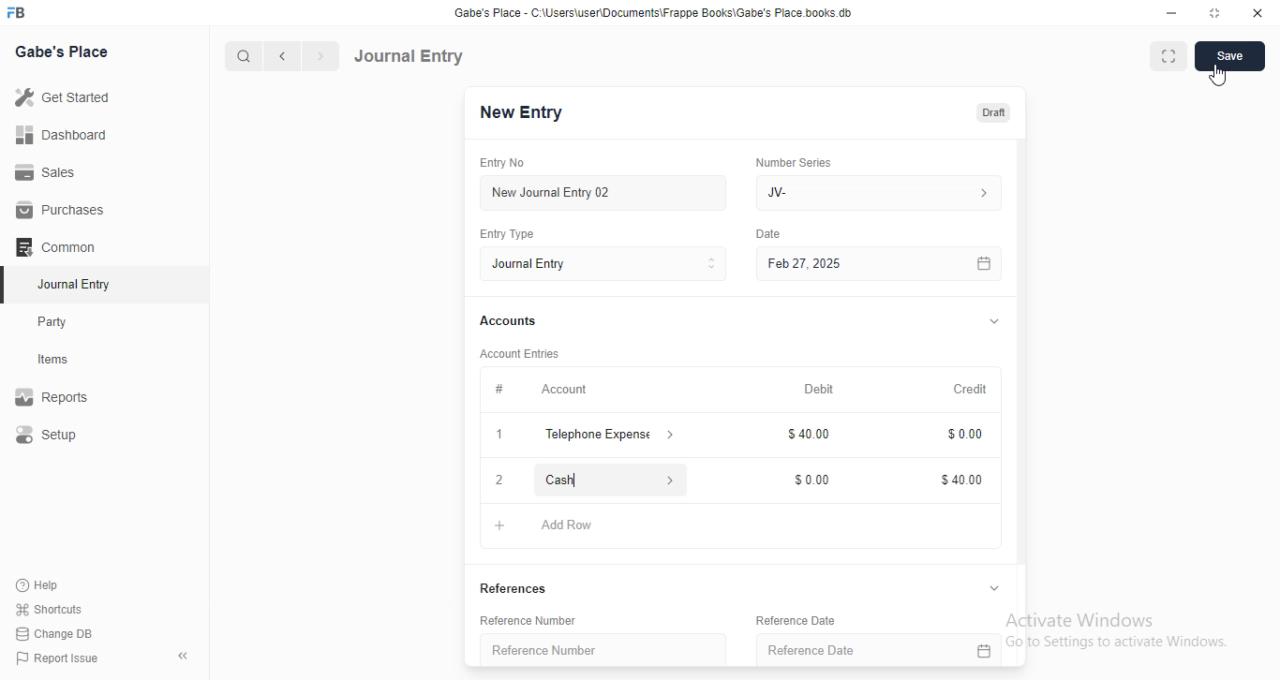 The image size is (1280, 680). Describe the element at coordinates (507, 235) in the screenshot. I see `Entry Type` at that location.